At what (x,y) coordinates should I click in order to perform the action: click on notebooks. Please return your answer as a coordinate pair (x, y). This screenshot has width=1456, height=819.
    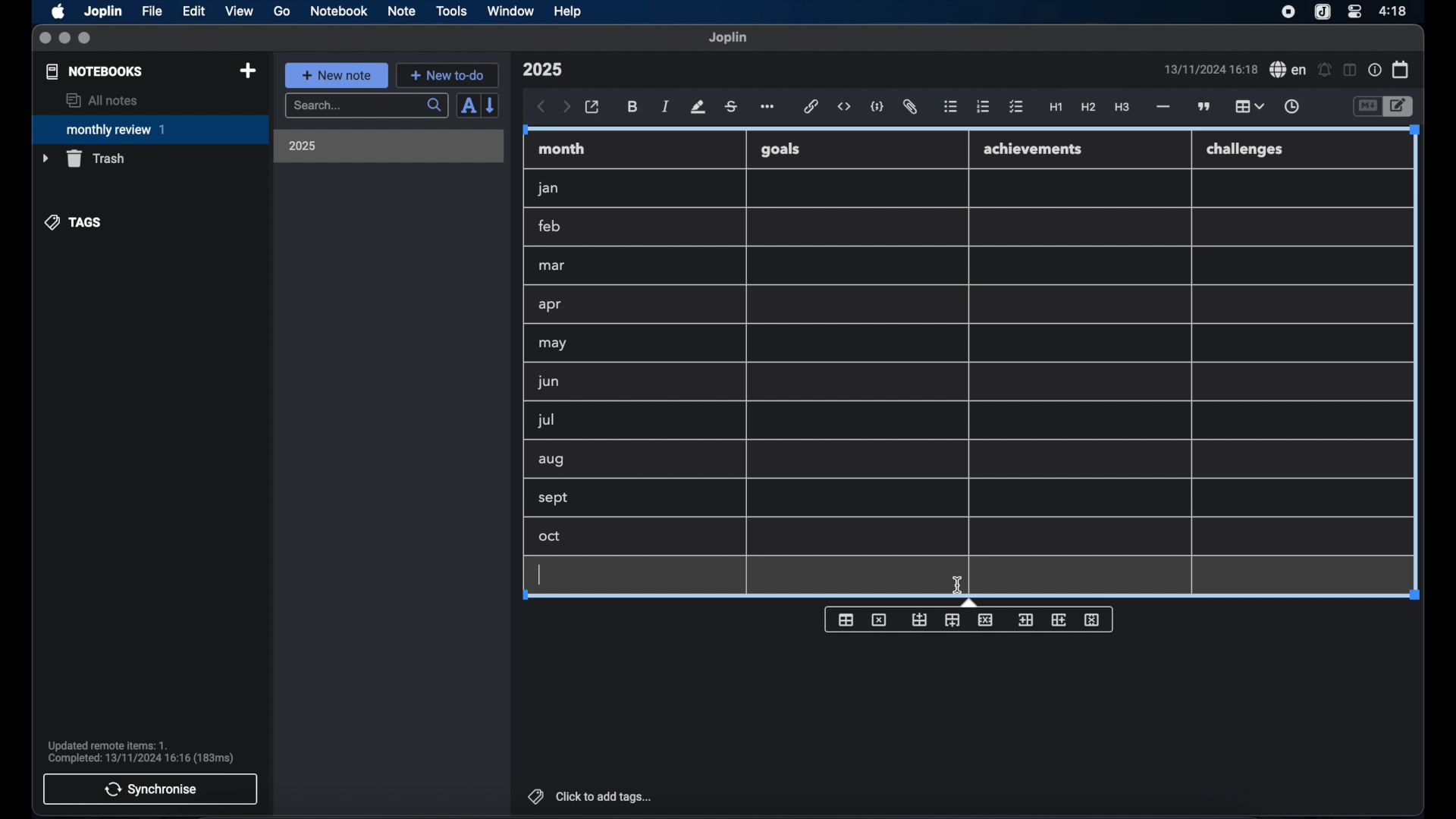
    Looking at the image, I should click on (95, 71).